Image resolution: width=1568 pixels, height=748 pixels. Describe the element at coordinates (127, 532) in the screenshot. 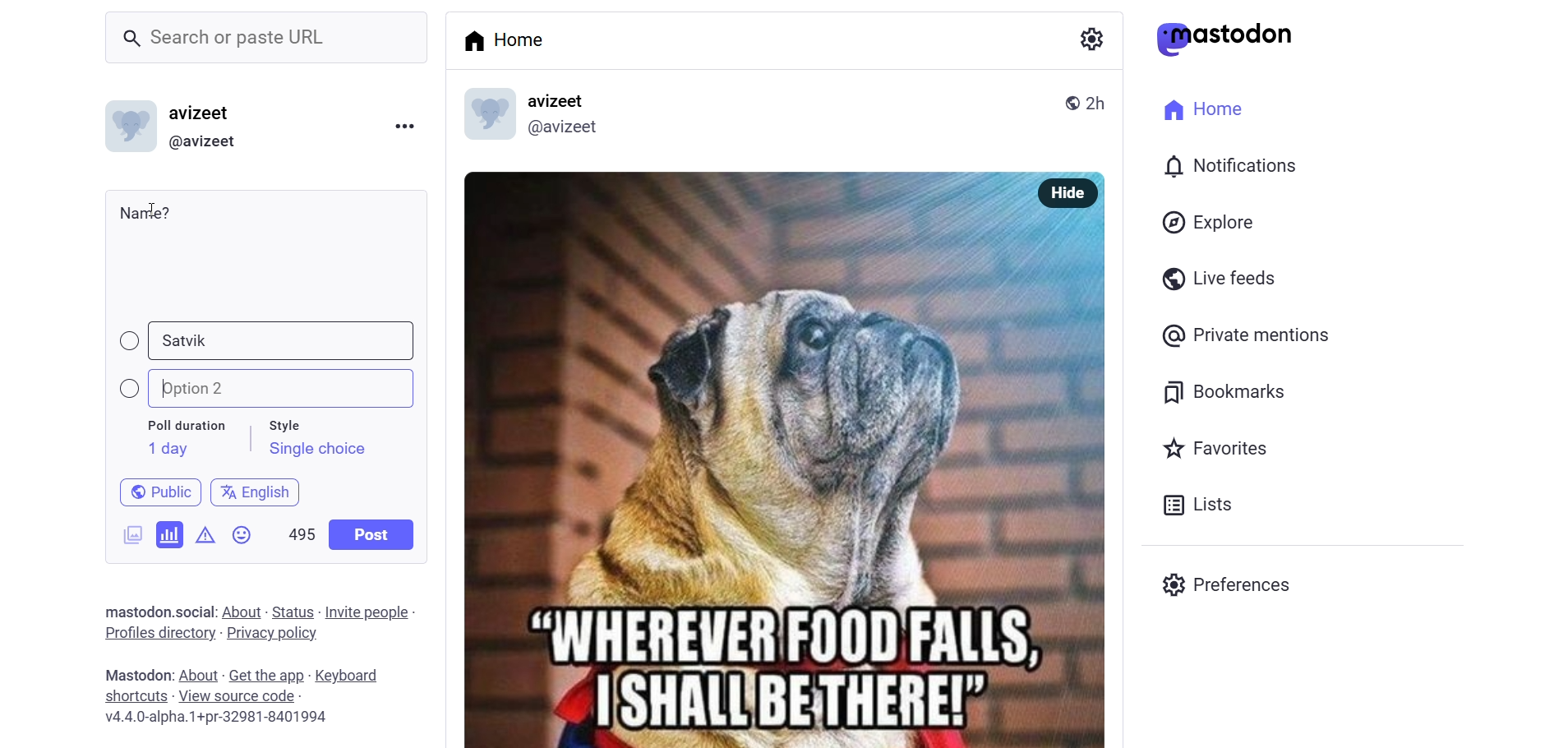

I see `image/video` at that location.